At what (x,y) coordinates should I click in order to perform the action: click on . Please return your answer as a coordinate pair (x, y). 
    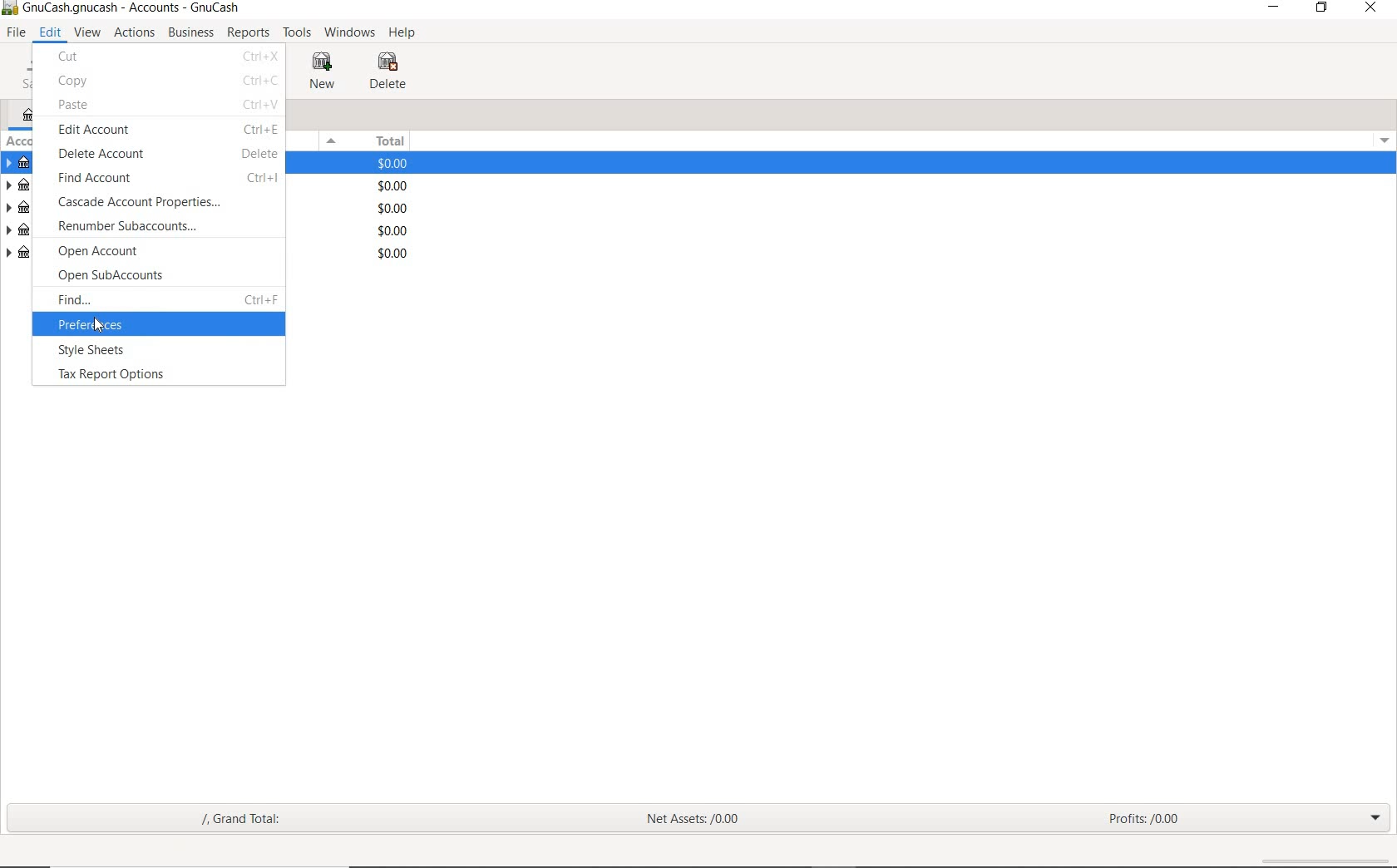
    Looking at the image, I should click on (263, 153).